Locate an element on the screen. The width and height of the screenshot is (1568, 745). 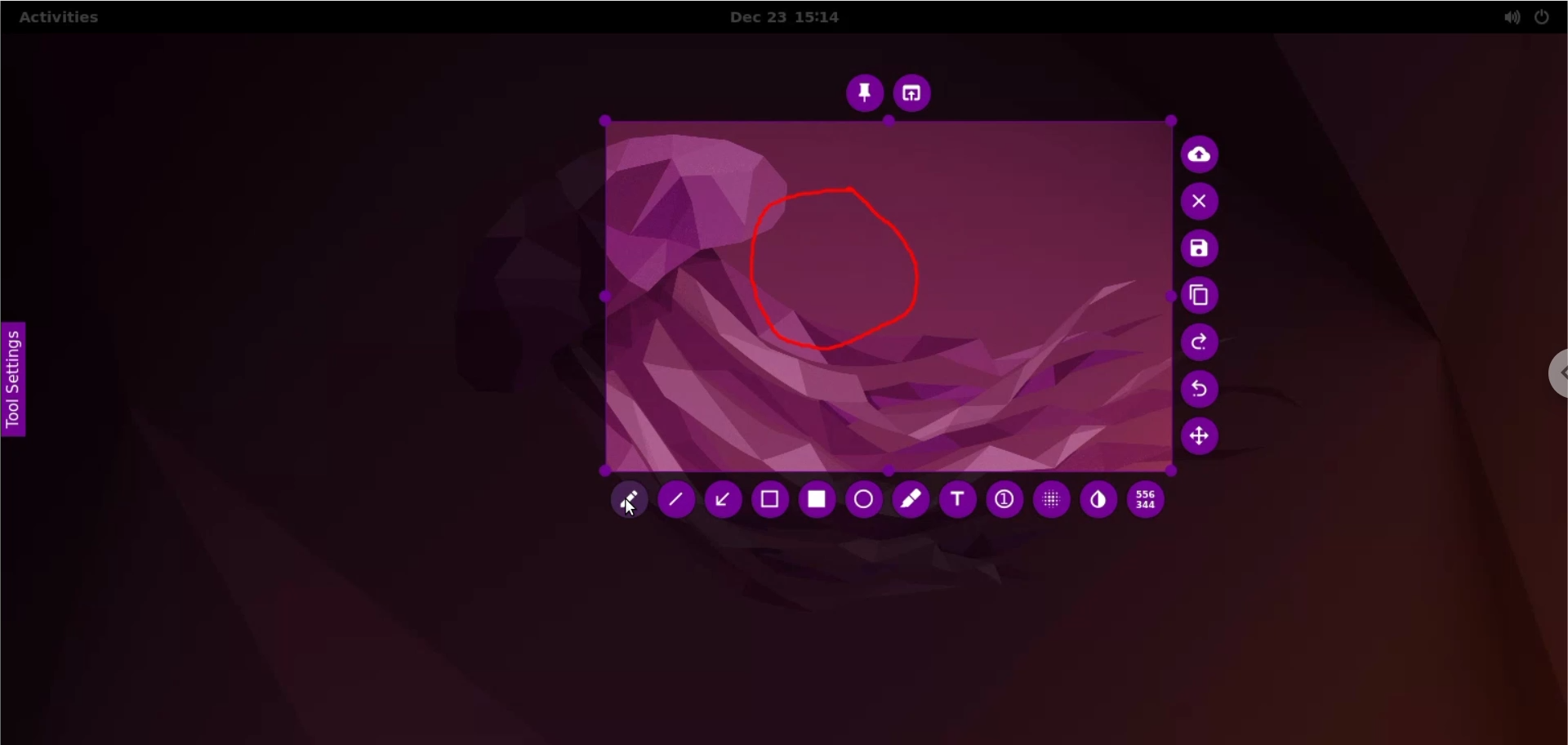
upload is located at coordinates (1205, 156).